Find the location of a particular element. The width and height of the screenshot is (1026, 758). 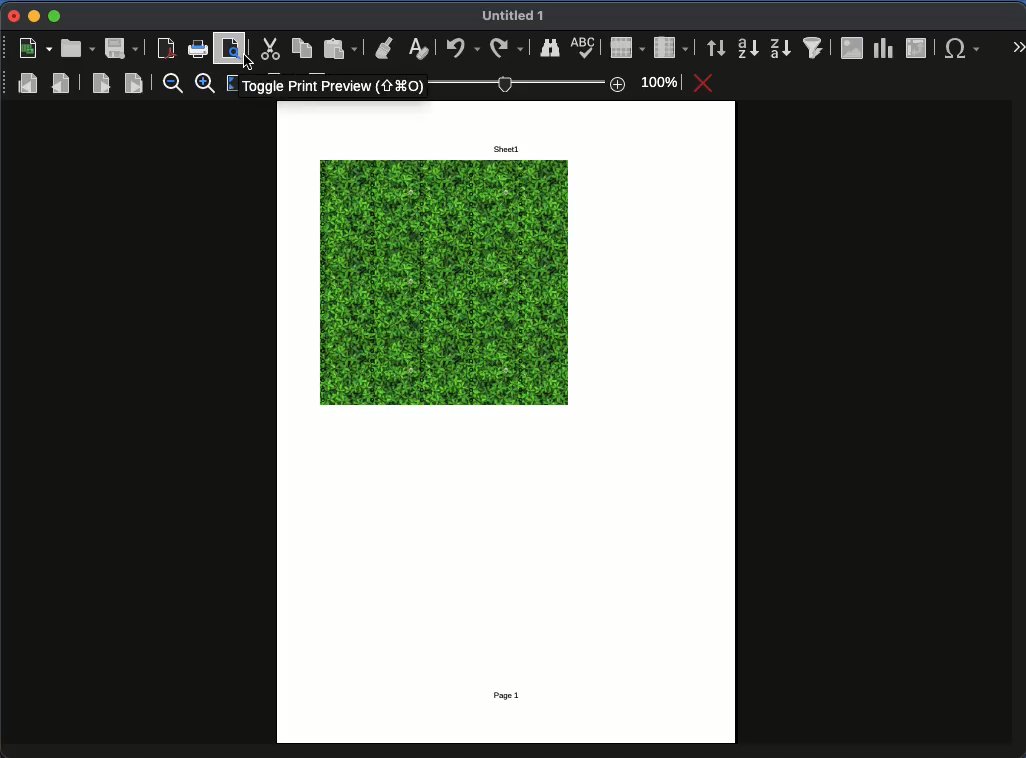

expand is located at coordinates (1016, 45).